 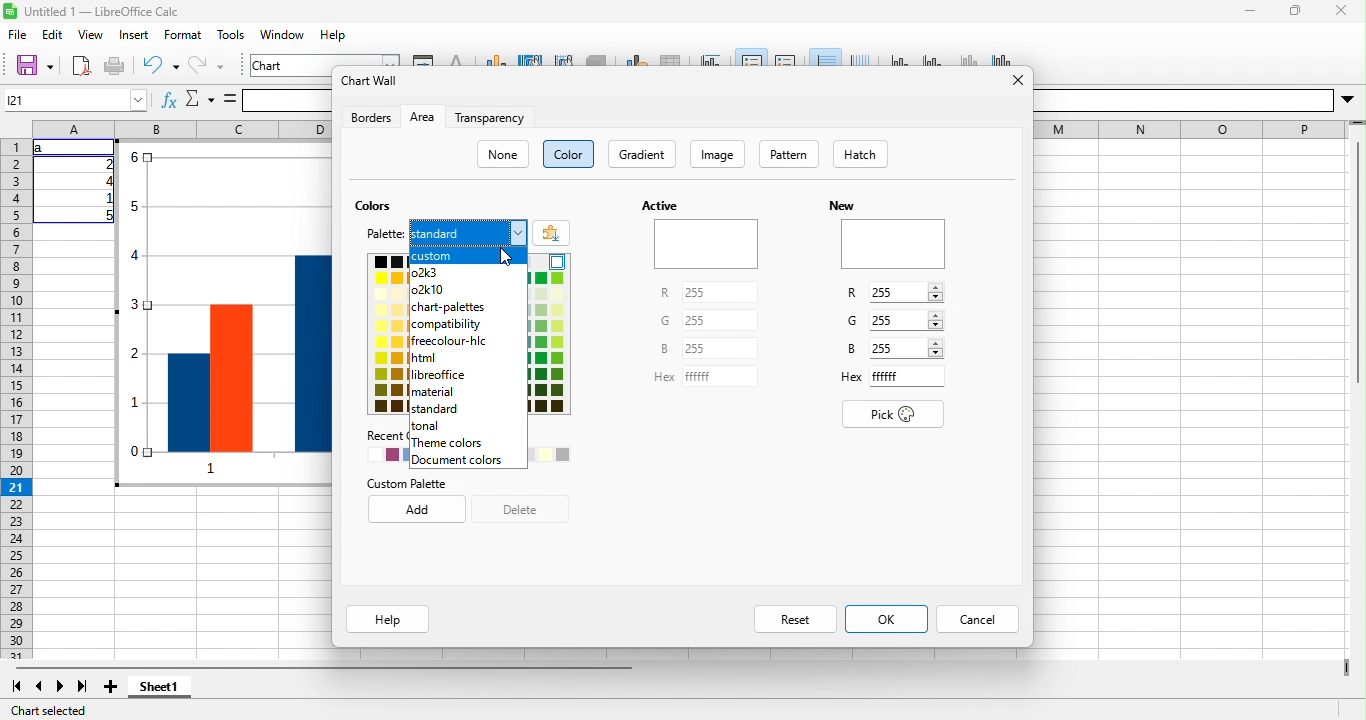 What do you see at coordinates (852, 293) in the screenshot?
I see `R` at bounding box center [852, 293].